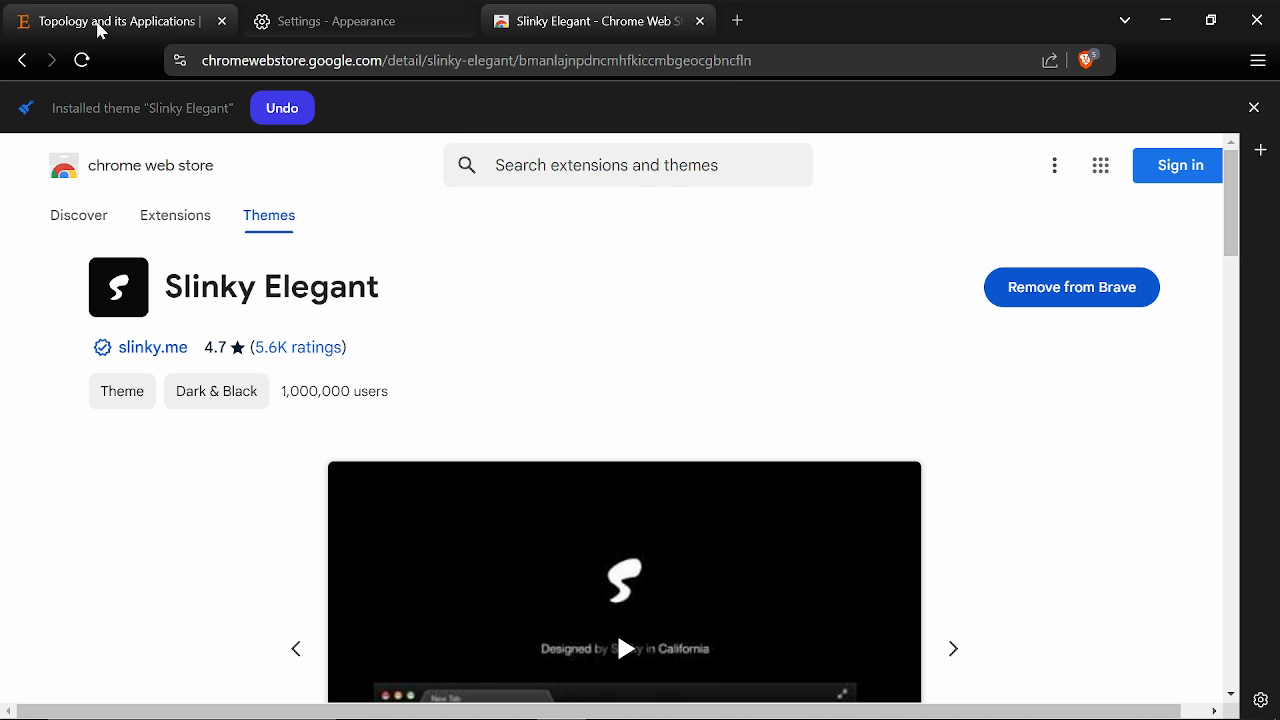 This screenshot has height=720, width=1280. What do you see at coordinates (346, 390) in the screenshot?
I see `Users` at bounding box center [346, 390].